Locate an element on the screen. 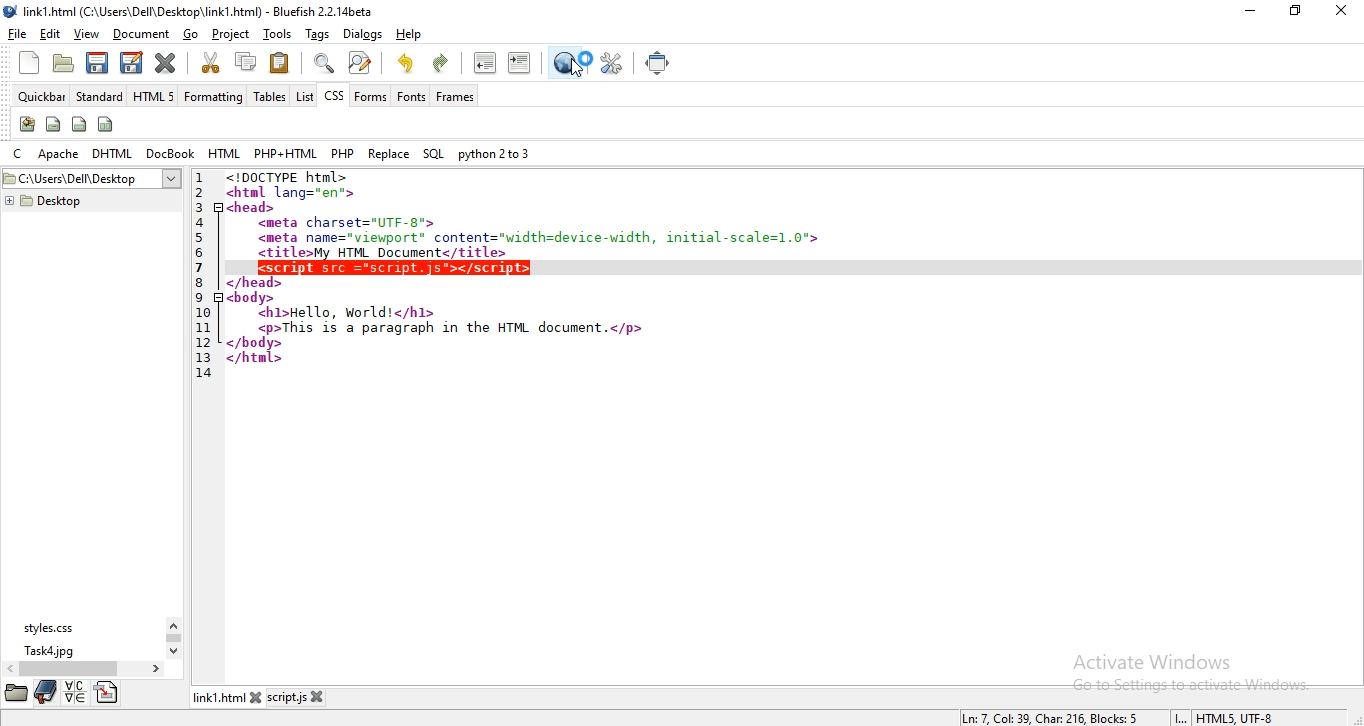 This screenshot has height=726, width=1364. 2 is located at coordinates (199, 193).